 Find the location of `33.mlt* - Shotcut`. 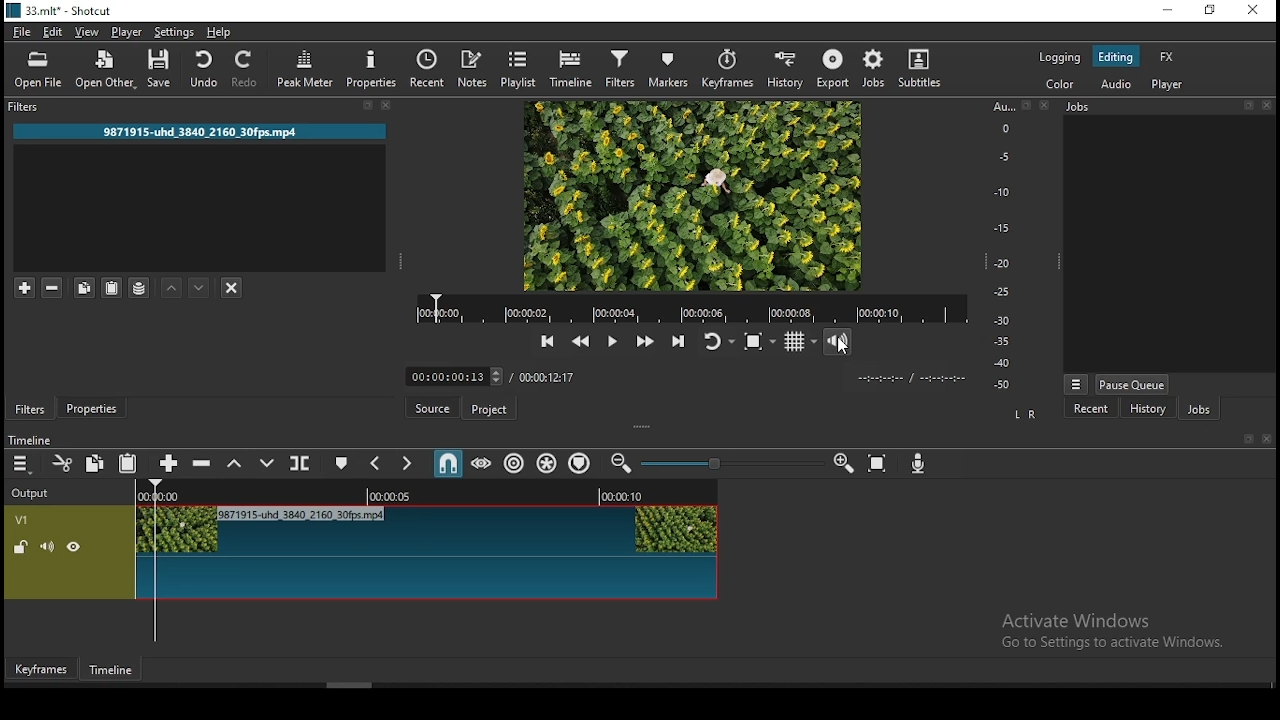

33.mlt* - Shotcut is located at coordinates (56, 12).